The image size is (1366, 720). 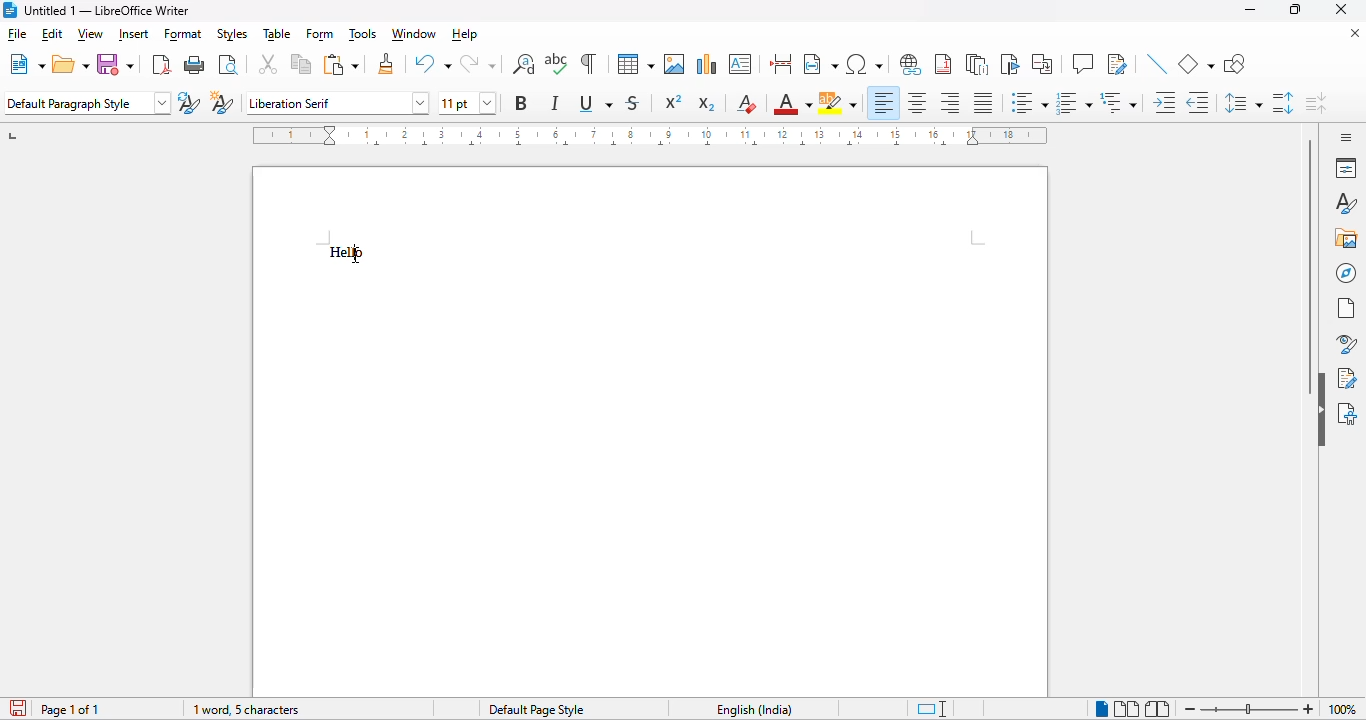 I want to click on print, so click(x=196, y=65).